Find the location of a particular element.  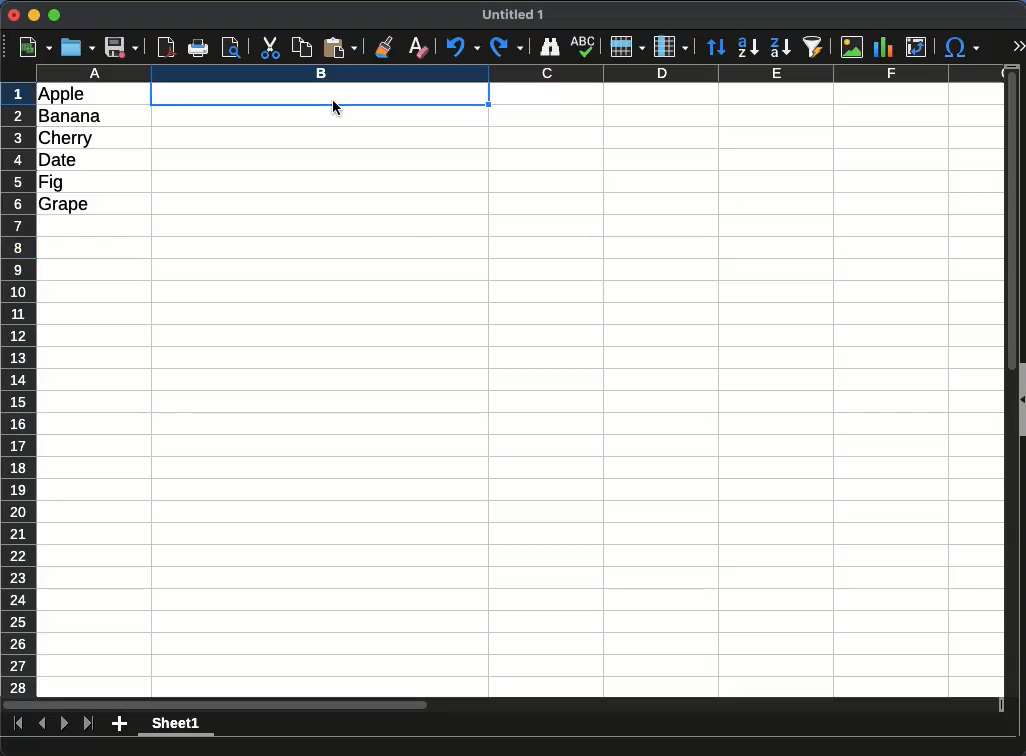

collapse/expand is located at coordinates (1022, 399).